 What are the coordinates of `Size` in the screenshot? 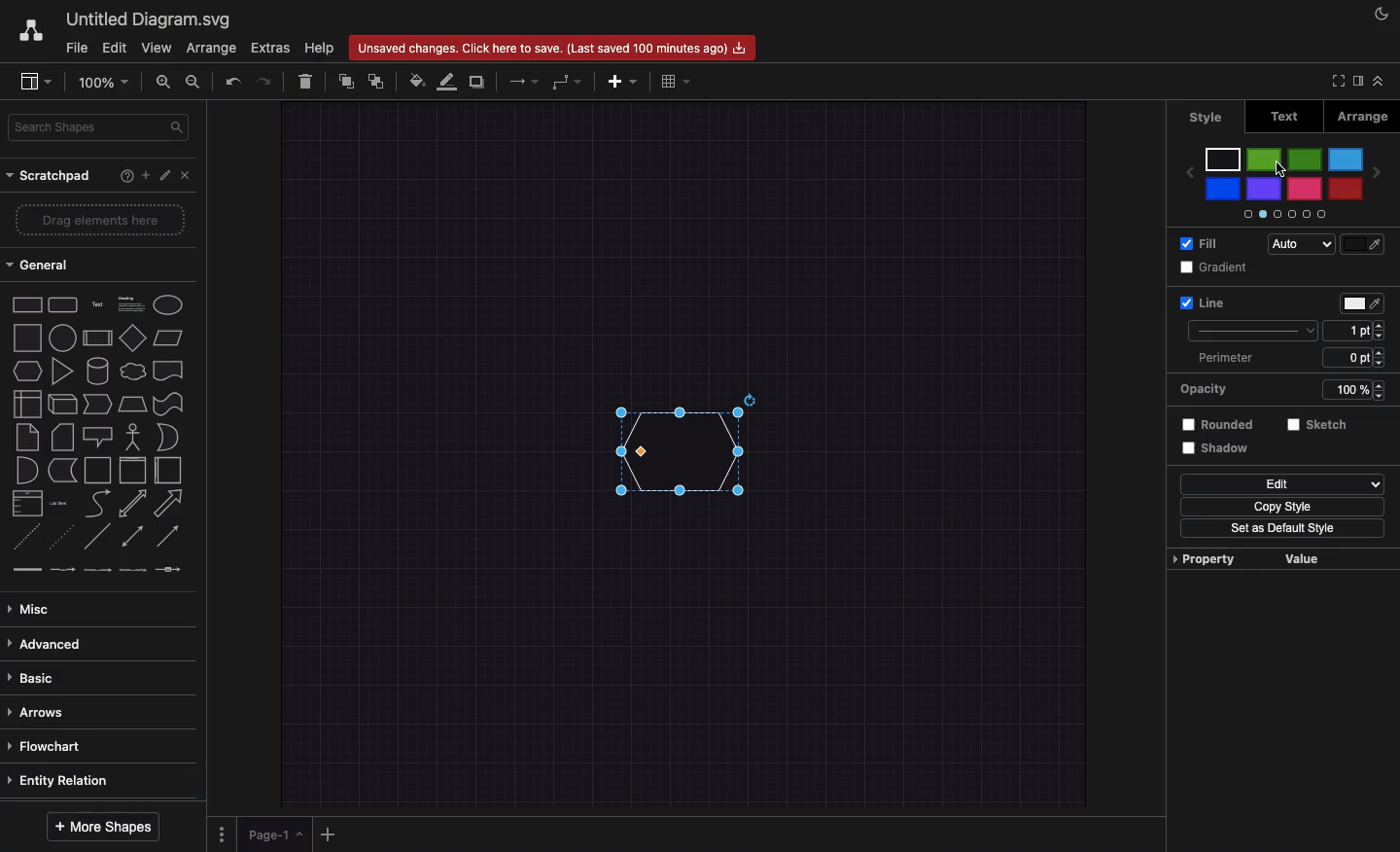 It's located at (1361, 332).